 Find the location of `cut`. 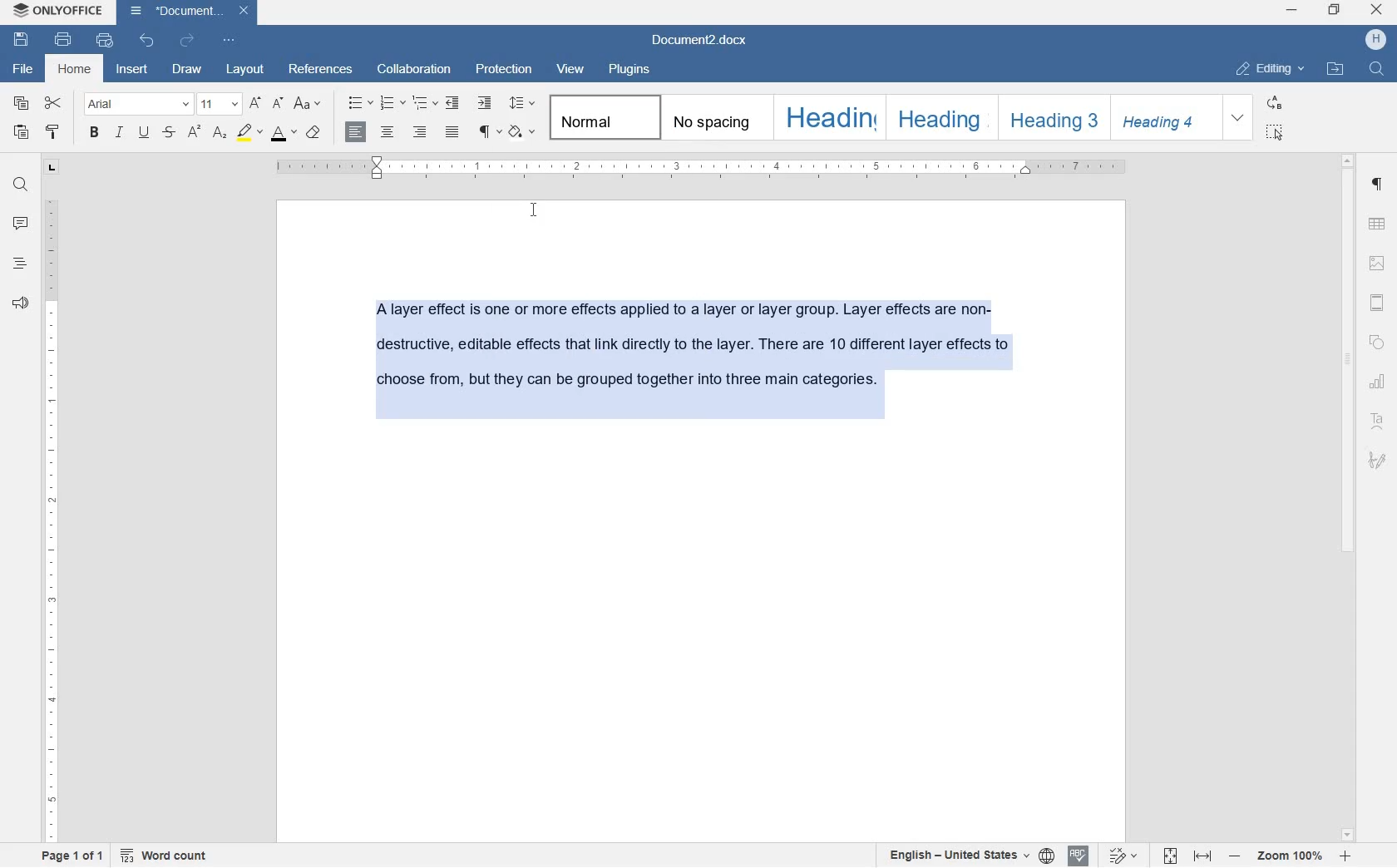

cut is located at coordinates (53, 104).